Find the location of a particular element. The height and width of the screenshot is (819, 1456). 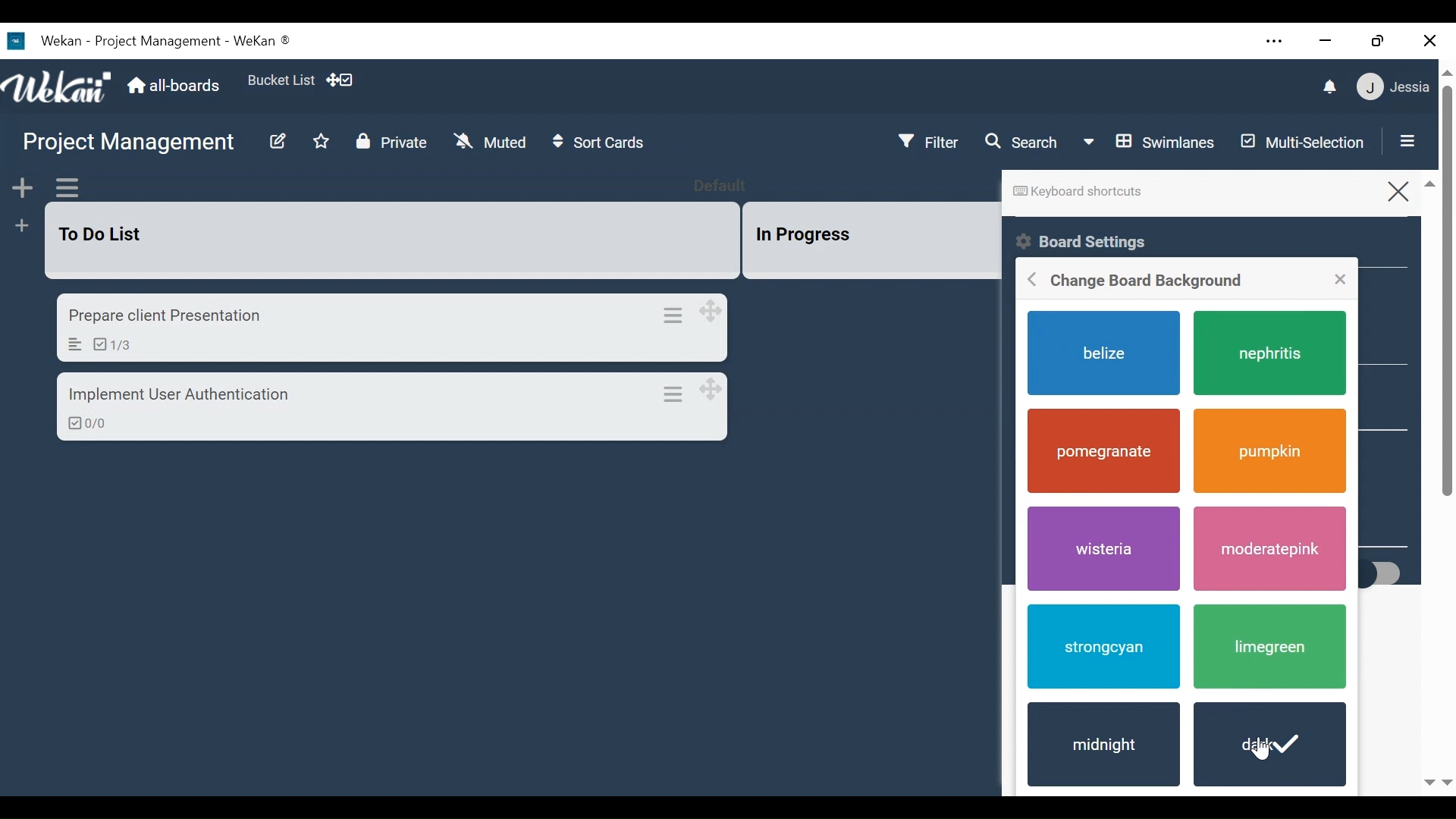

Sort Cards is located at coordinates (604, 144).